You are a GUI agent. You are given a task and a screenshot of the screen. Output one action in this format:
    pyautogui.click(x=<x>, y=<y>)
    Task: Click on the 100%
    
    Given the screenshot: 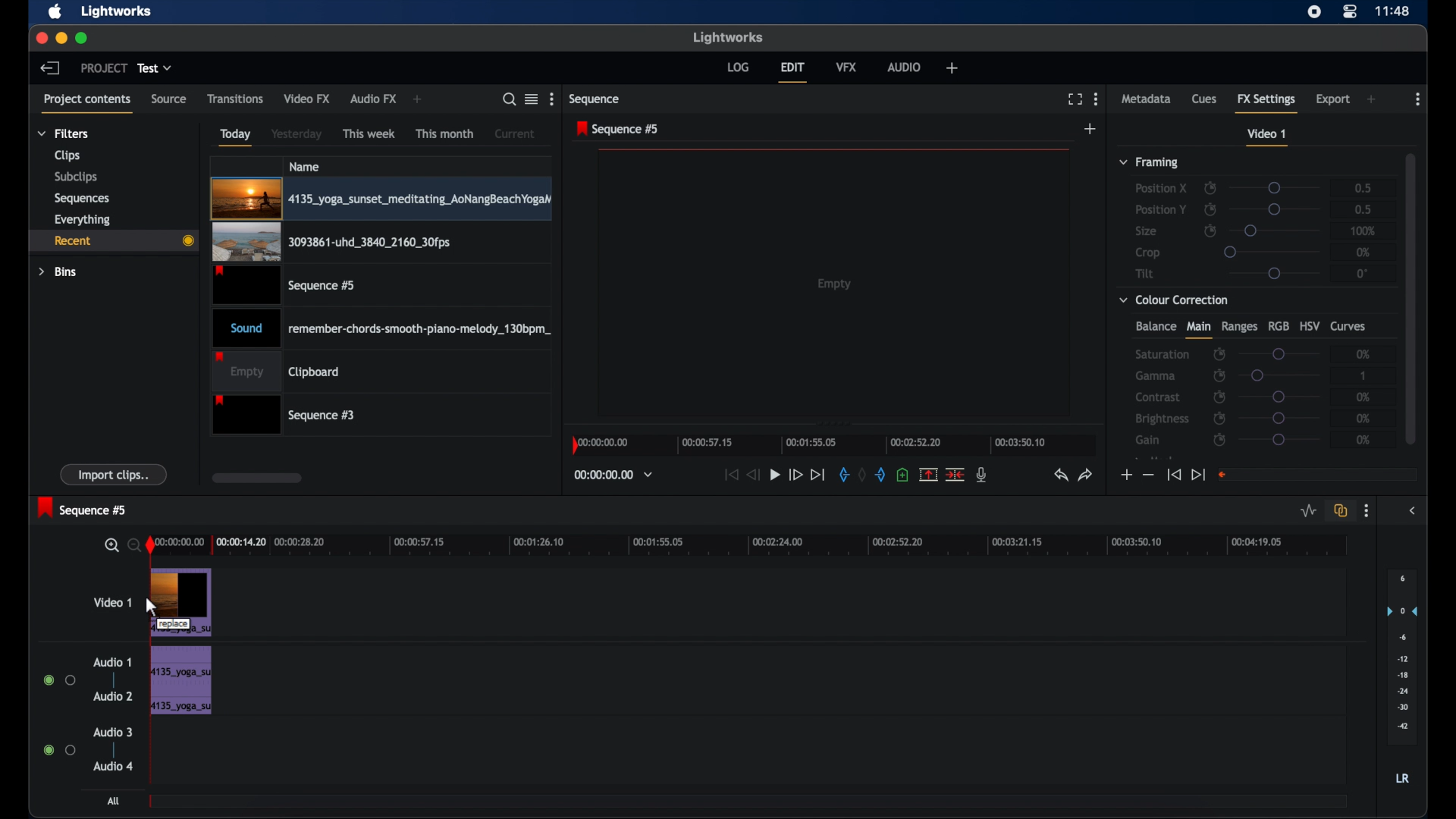 What is the action you would take?
    pyautogui.click(x=1363, y=231)
    